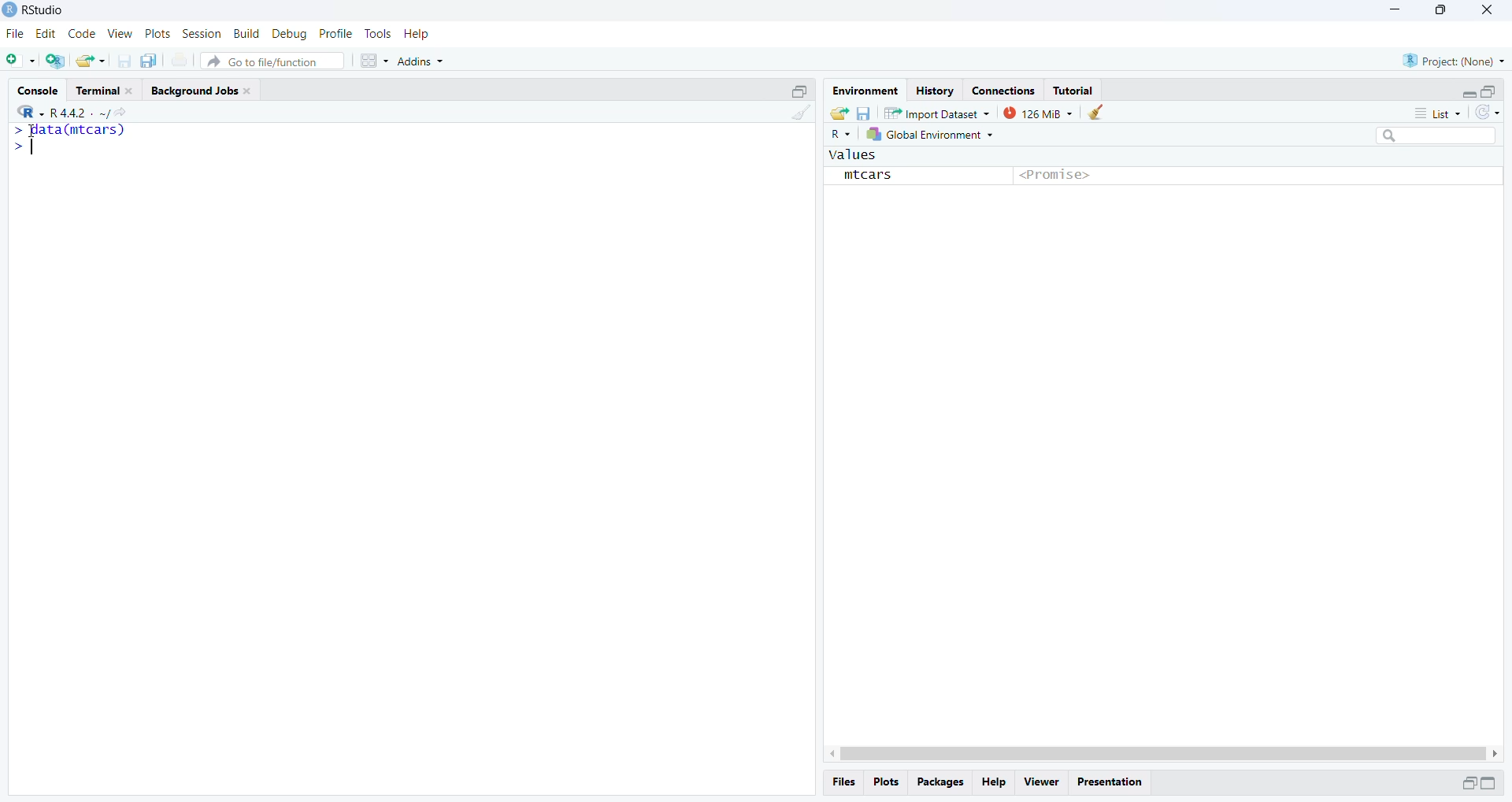  What do you see at coordinates (57, 61) in the screenshot?
I see `create a project` at bounding box center [57, 61].